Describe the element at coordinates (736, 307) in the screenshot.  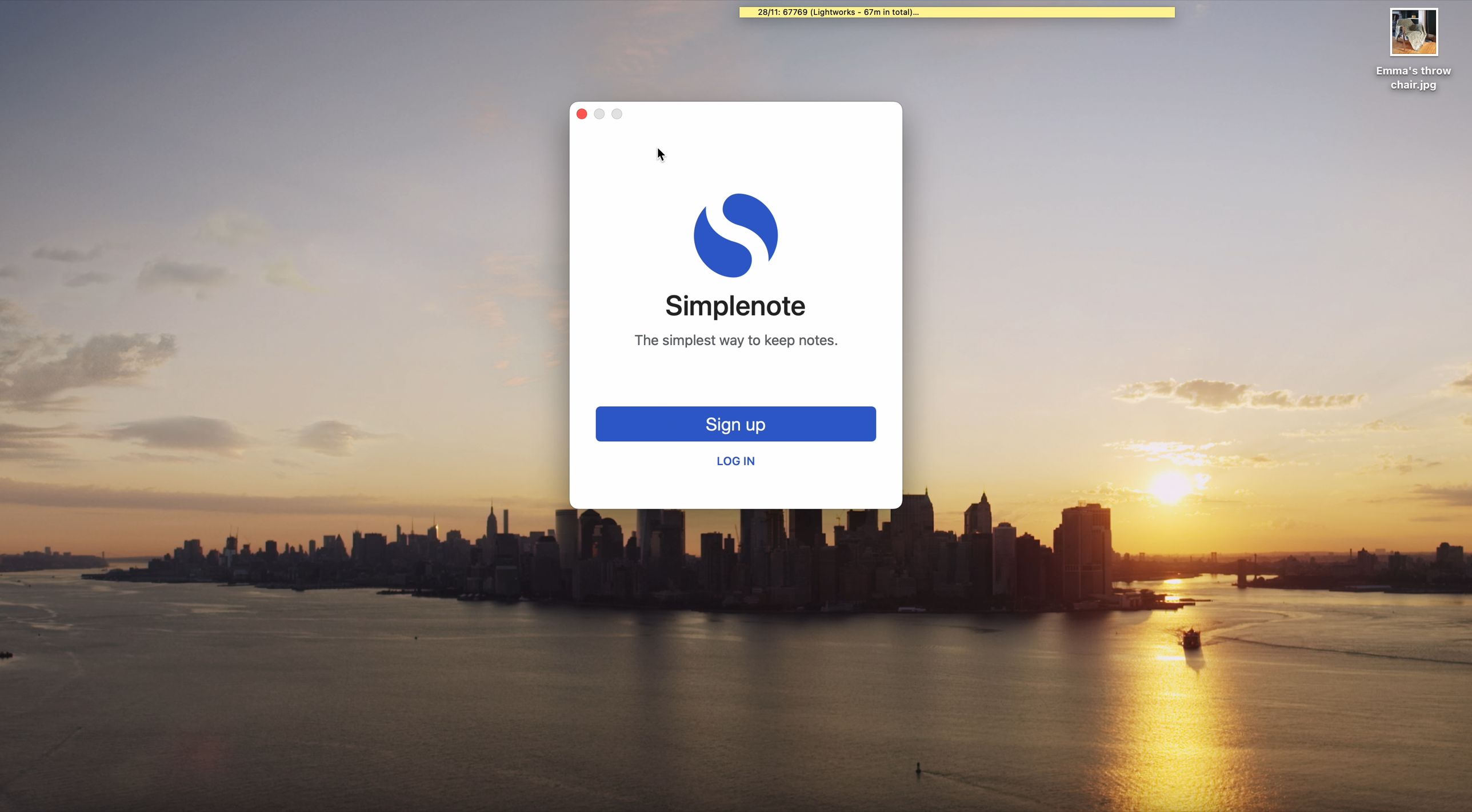
I see `Simplenote` at that location.